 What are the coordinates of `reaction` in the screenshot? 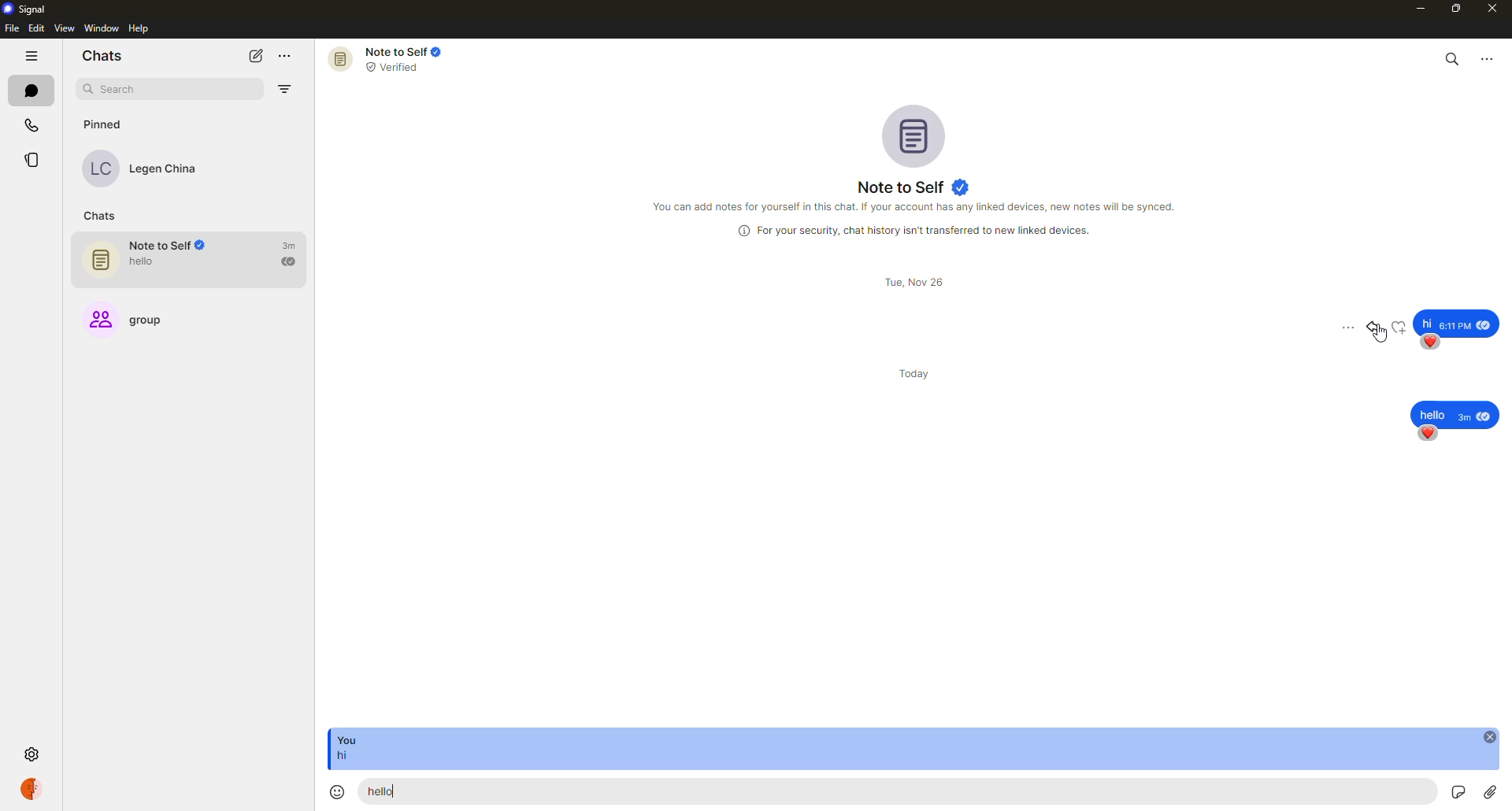 It's located at (1398, 327).